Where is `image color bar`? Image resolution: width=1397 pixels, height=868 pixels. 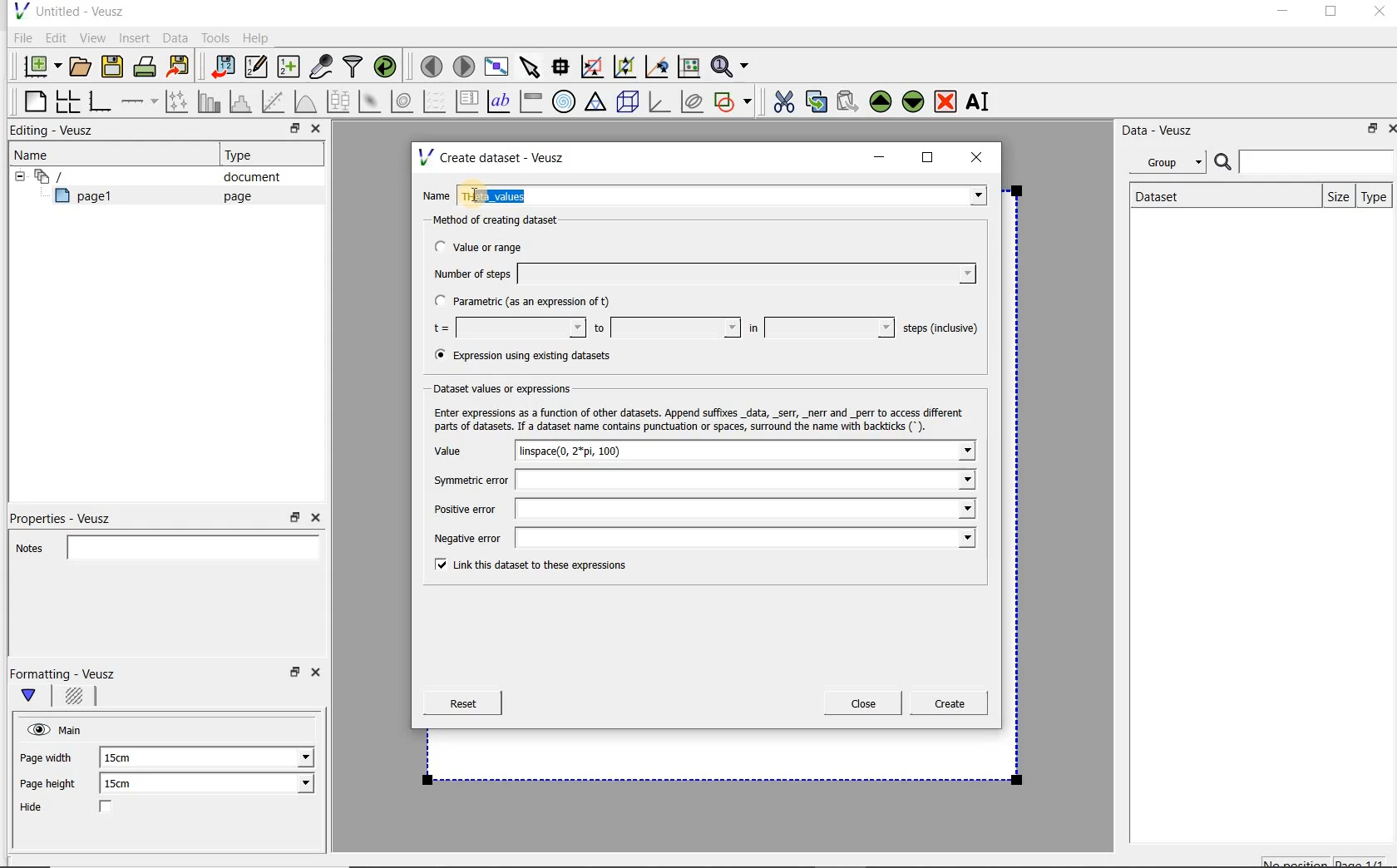 image color bar is located at coordinates (531, 101).